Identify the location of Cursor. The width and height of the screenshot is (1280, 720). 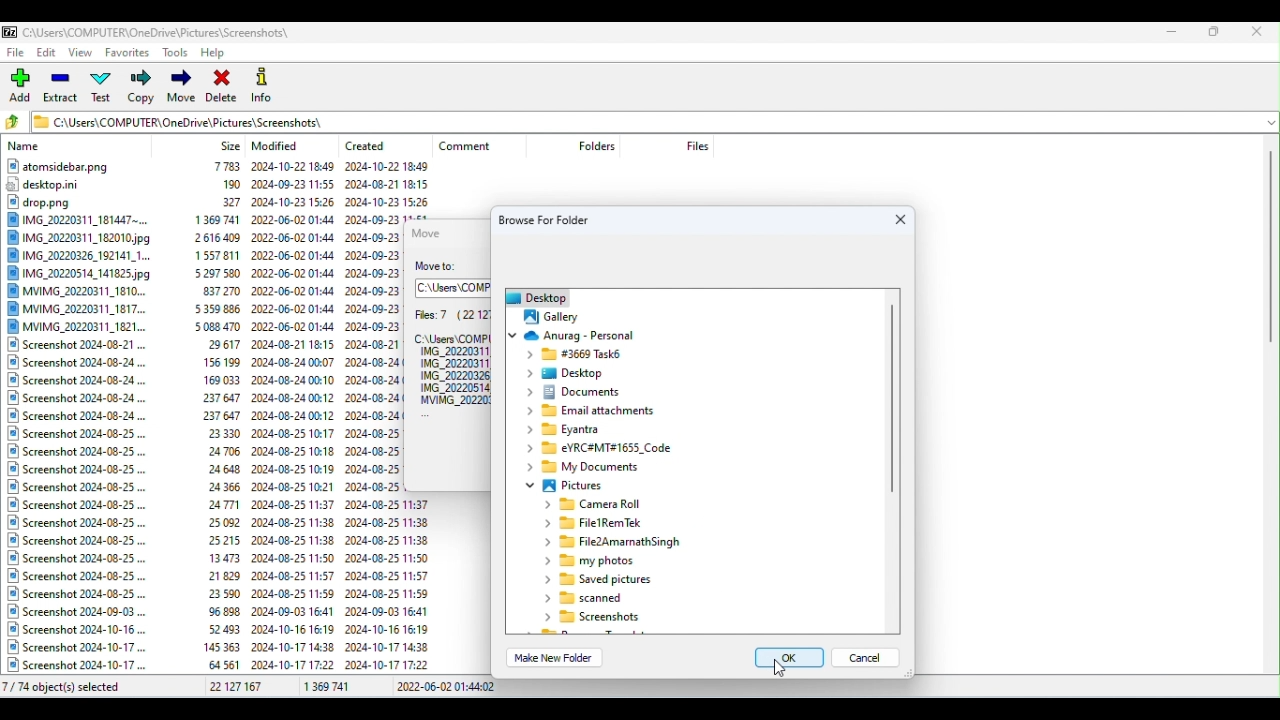
(781, 668).